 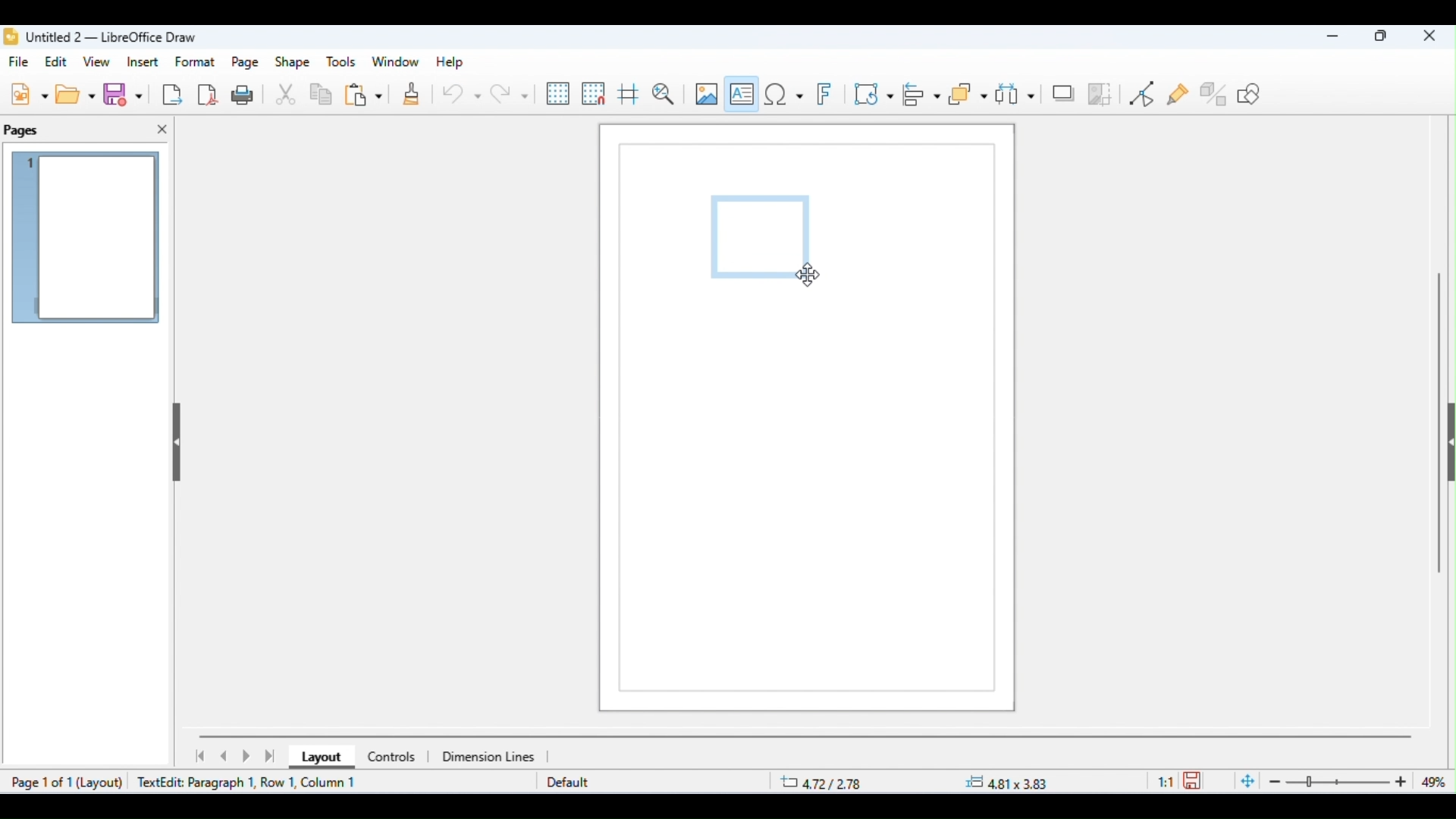 What do you see at coordinates (595, 93) in the screenshot?
I see `snap to grid` at bounding box center [595, 93].